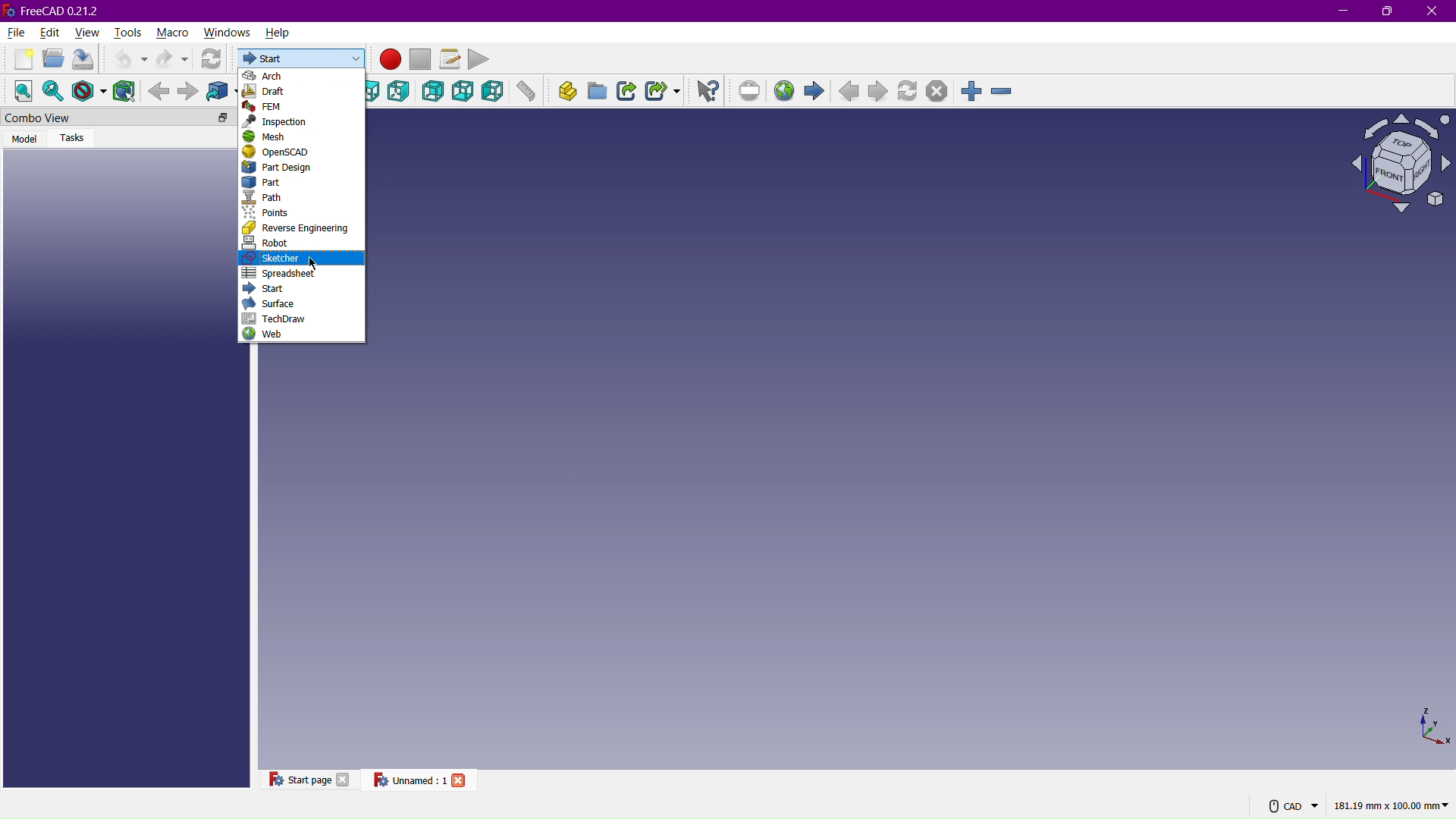  Describe the element at coordinates (300, 58) in the screenshot. I see `Start` at that location.